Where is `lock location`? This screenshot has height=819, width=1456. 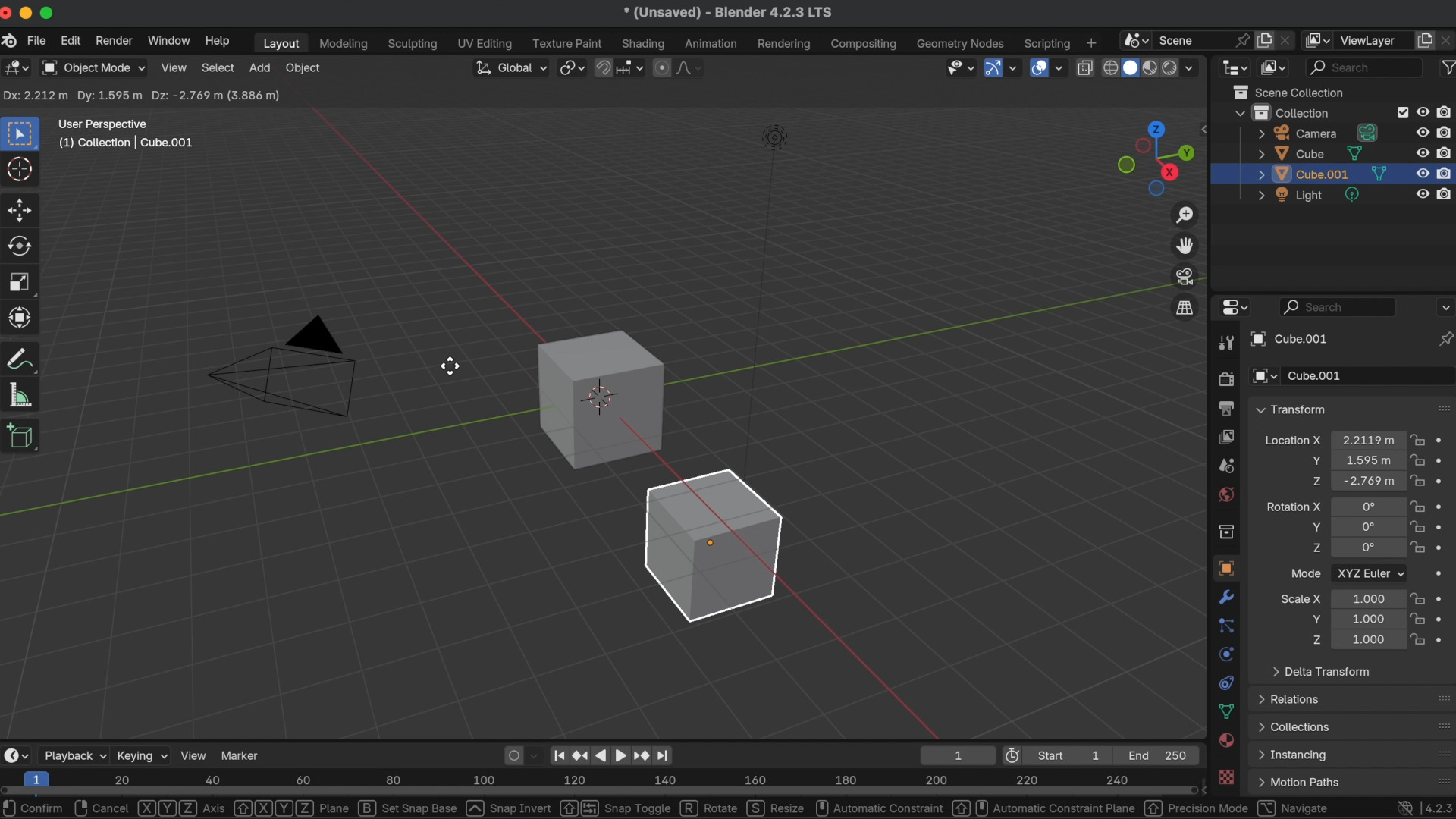
lock location is located at coordinates (1418, 481).